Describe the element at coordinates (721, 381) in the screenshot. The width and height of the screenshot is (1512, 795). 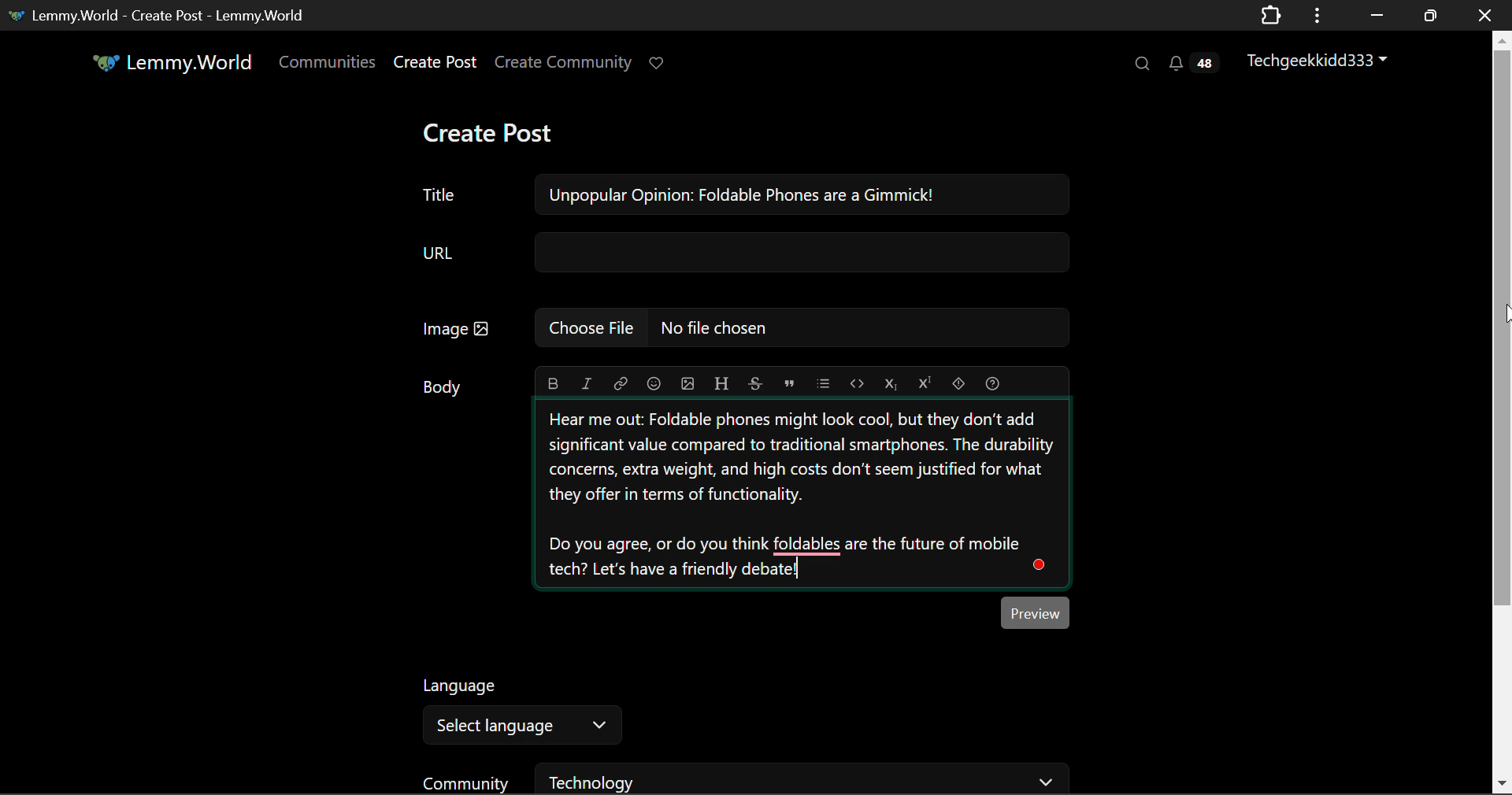
I see `header` at that location.